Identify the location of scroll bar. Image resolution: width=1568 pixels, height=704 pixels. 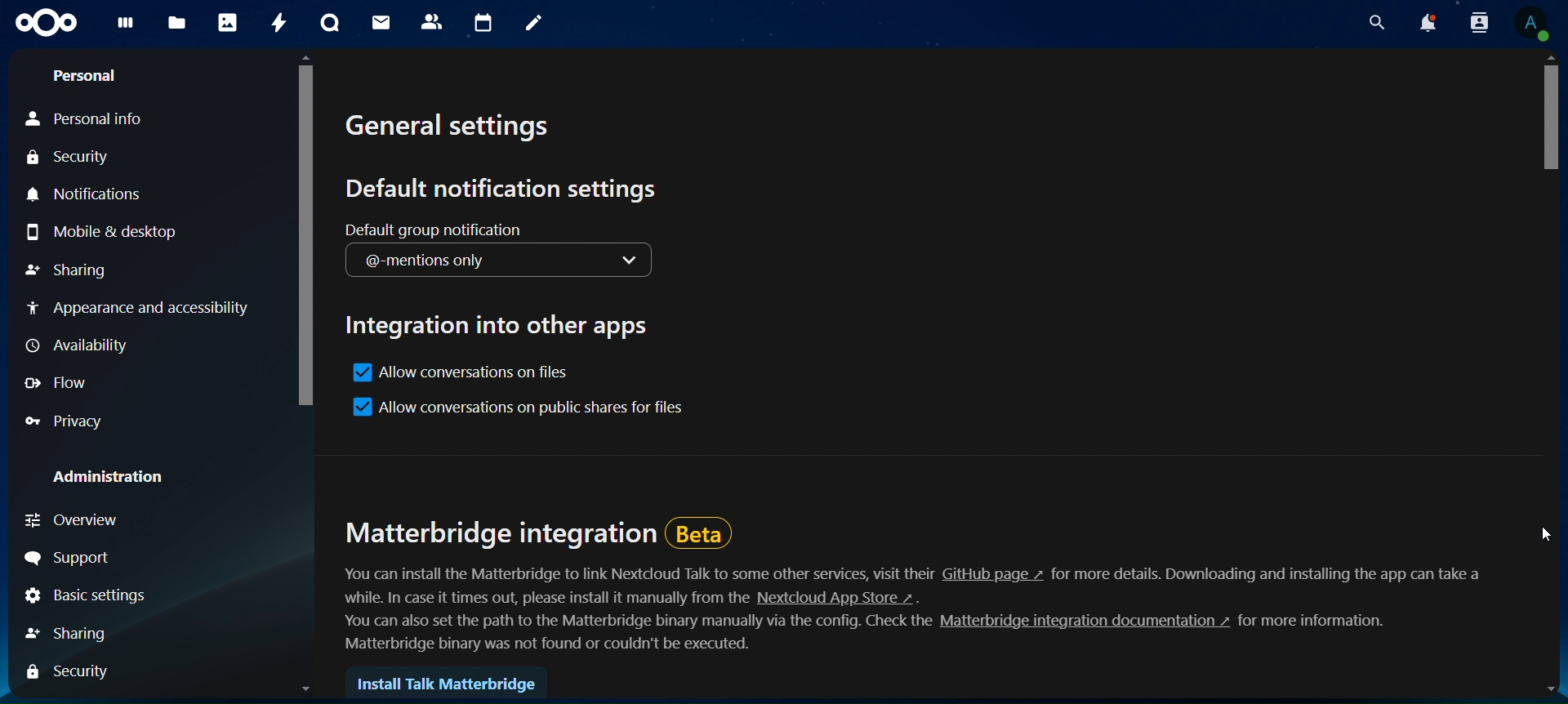
(308, 235).